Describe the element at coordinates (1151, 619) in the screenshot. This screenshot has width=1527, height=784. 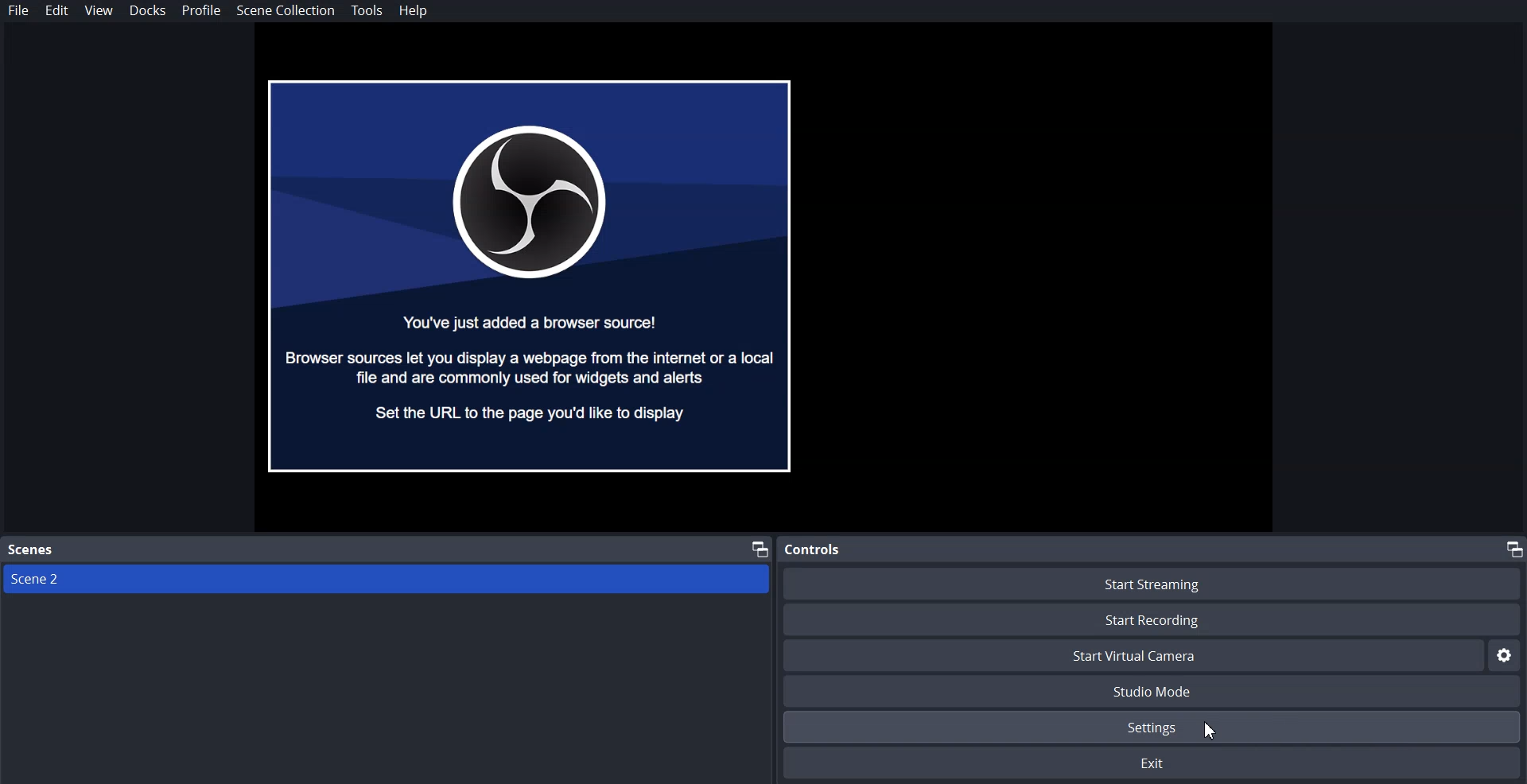
I see `Start Recording` at that location.